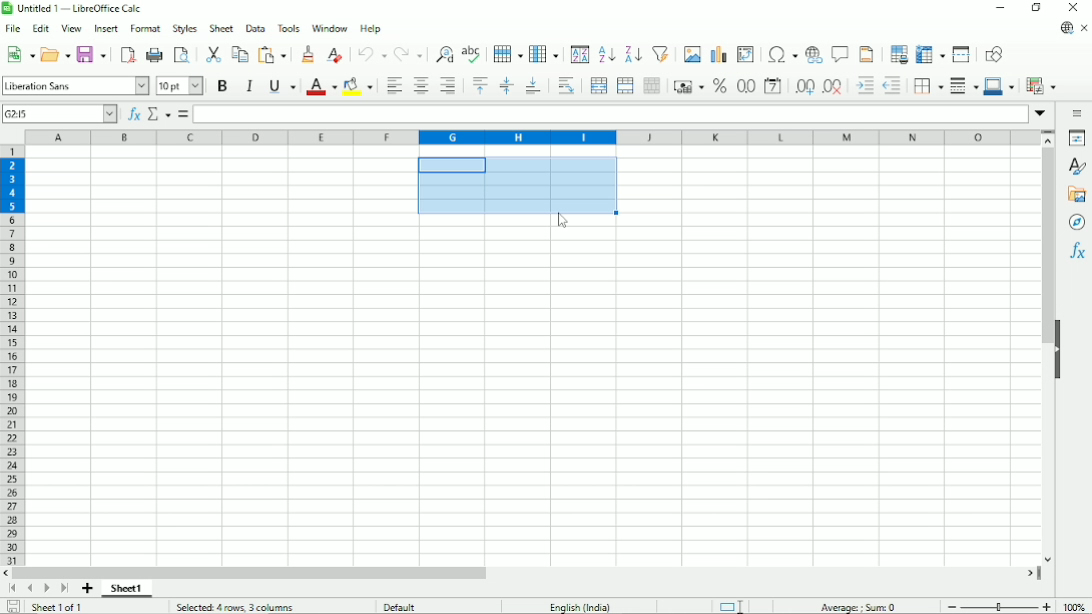 This screenshot has width=1092, height=614. What do you see at coordinates (19, 56) in the screenshot?
I see `New` at bounding box center [19, 56].